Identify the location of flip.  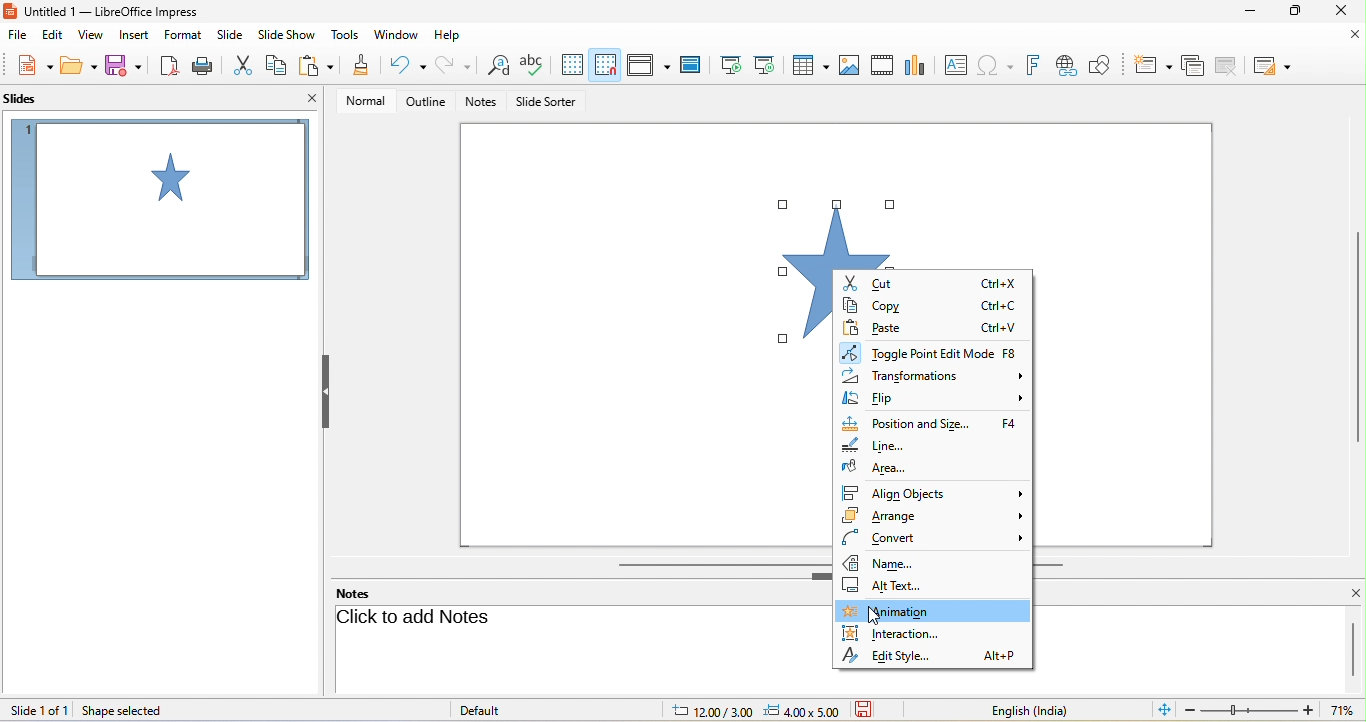
(934, 398).